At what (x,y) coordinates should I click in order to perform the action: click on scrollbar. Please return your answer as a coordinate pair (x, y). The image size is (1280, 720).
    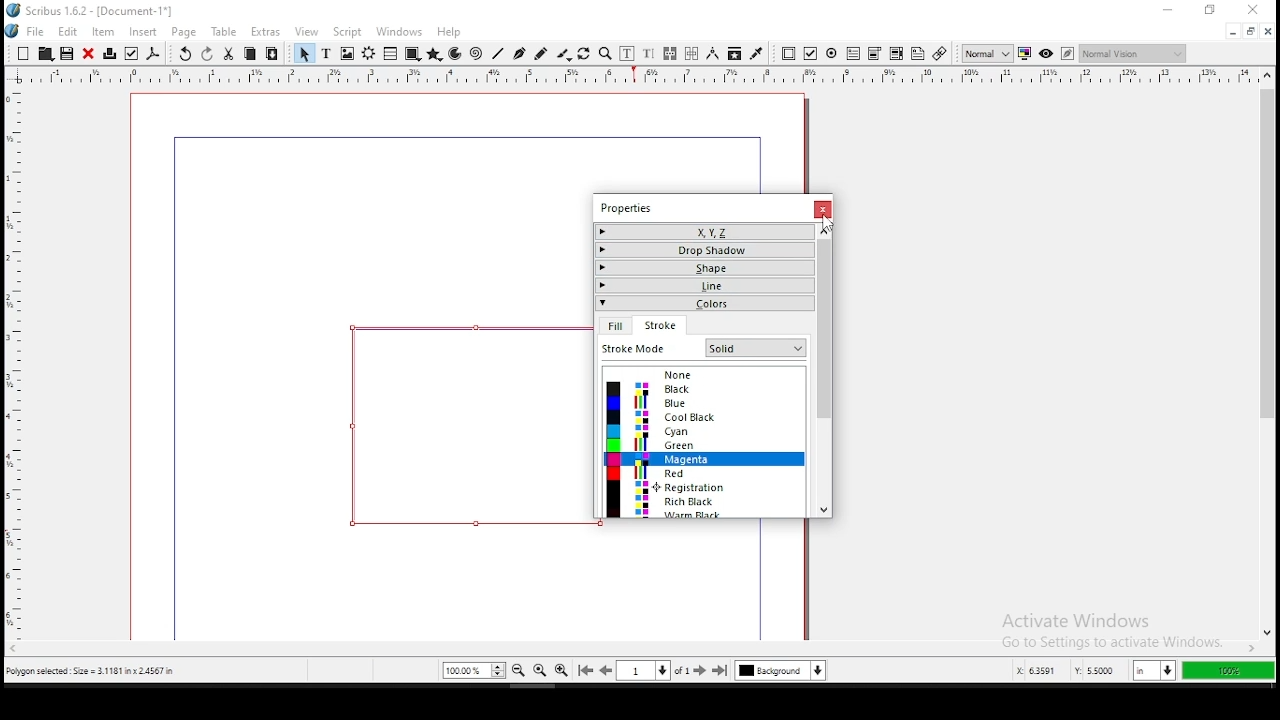
    Looking at the image, I should click on (810, 581).